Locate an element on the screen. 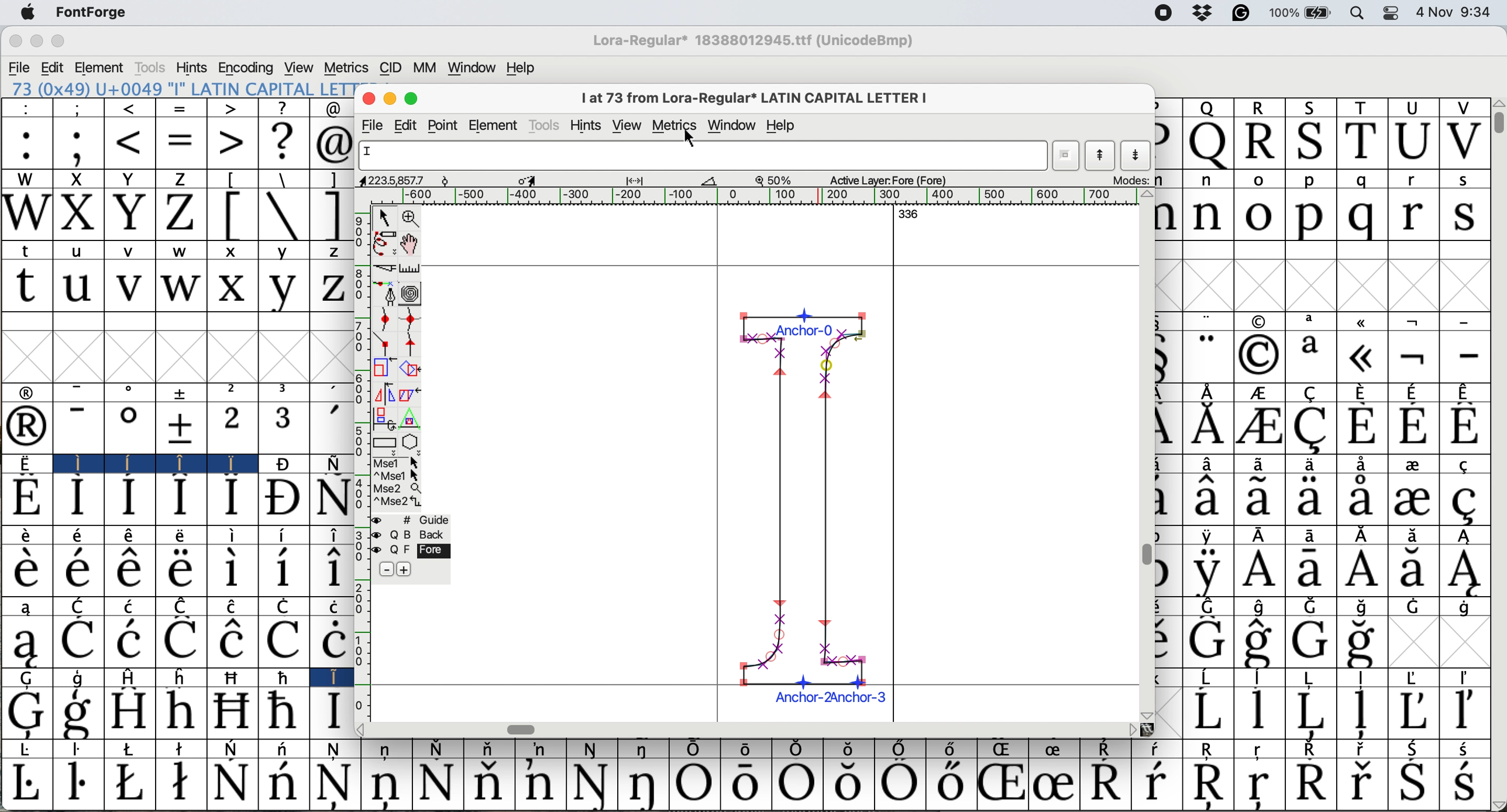 The image size is (1507, 812). scroll by hand is located at coordinates (411, 243).